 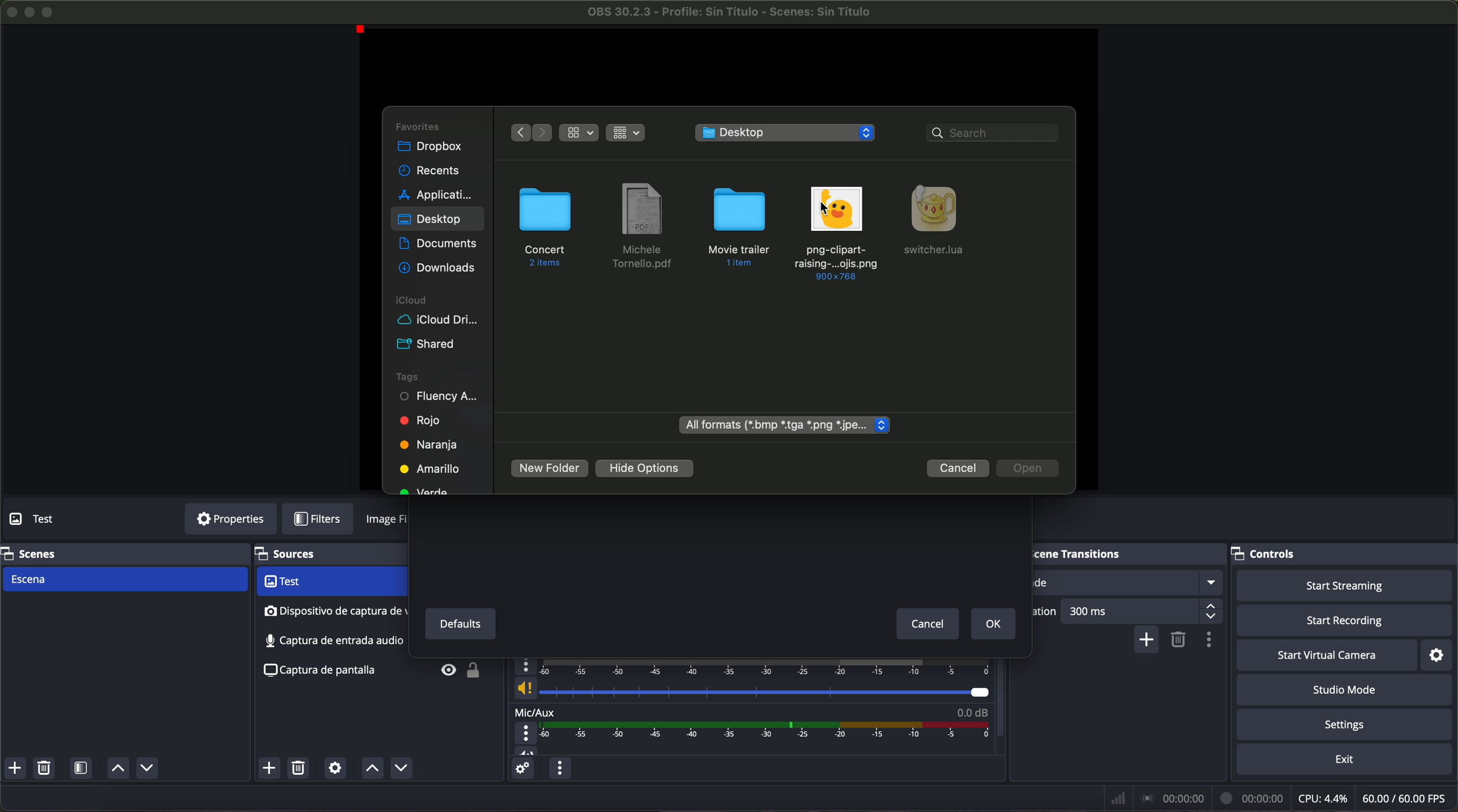 What do you see at coordinates (124, 580) in the screenshot?
I see `scene` at bounding box center [124, 580].